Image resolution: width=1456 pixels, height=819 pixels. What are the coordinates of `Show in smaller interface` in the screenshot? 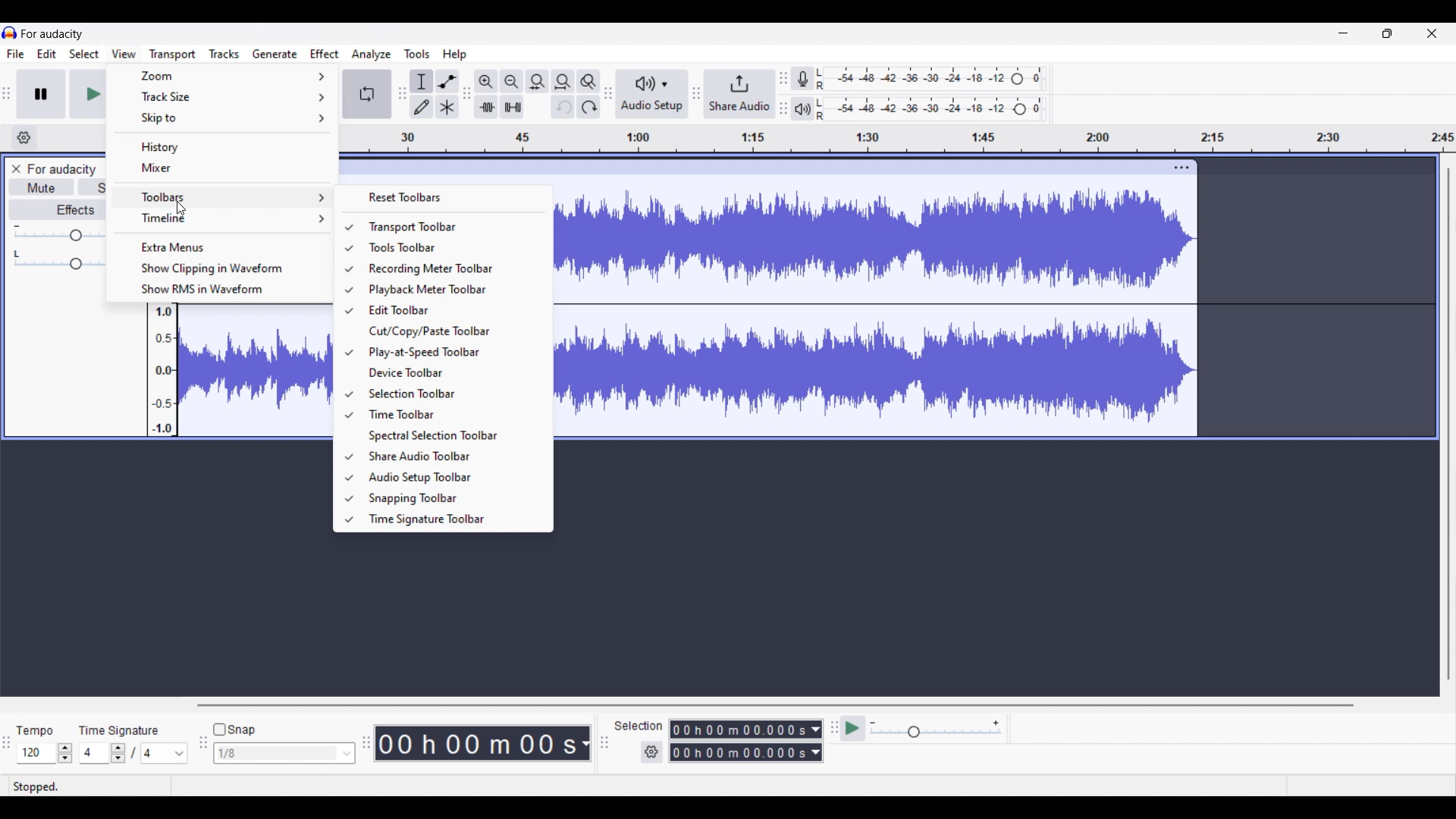 It's located at (1387, 33).